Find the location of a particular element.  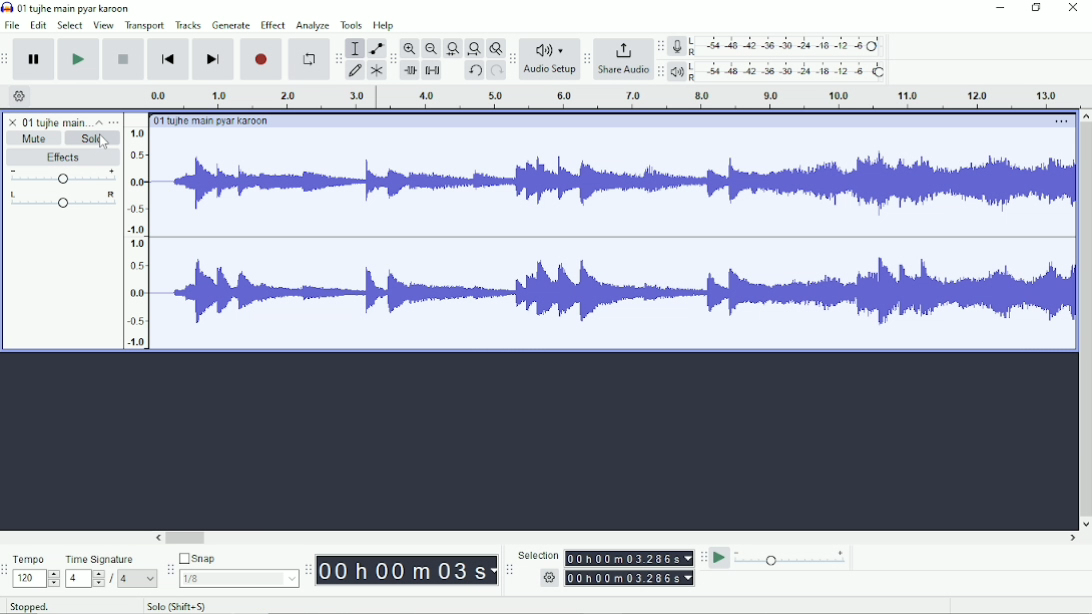

Record is located at coordinates (262, 60).